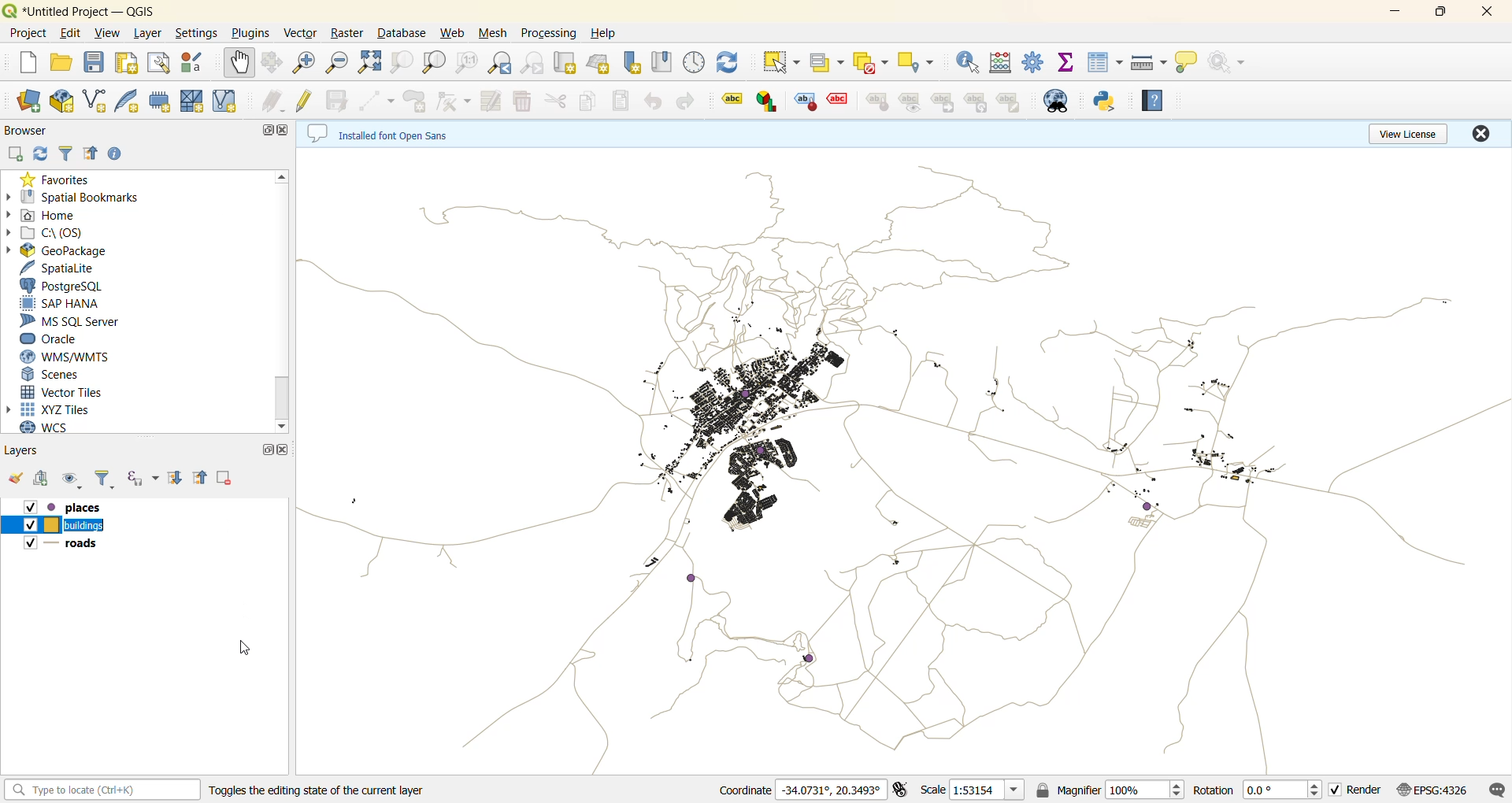  Describe the element at coordinates (870, 61) in the screenshot. I see `deselect value` at that location.